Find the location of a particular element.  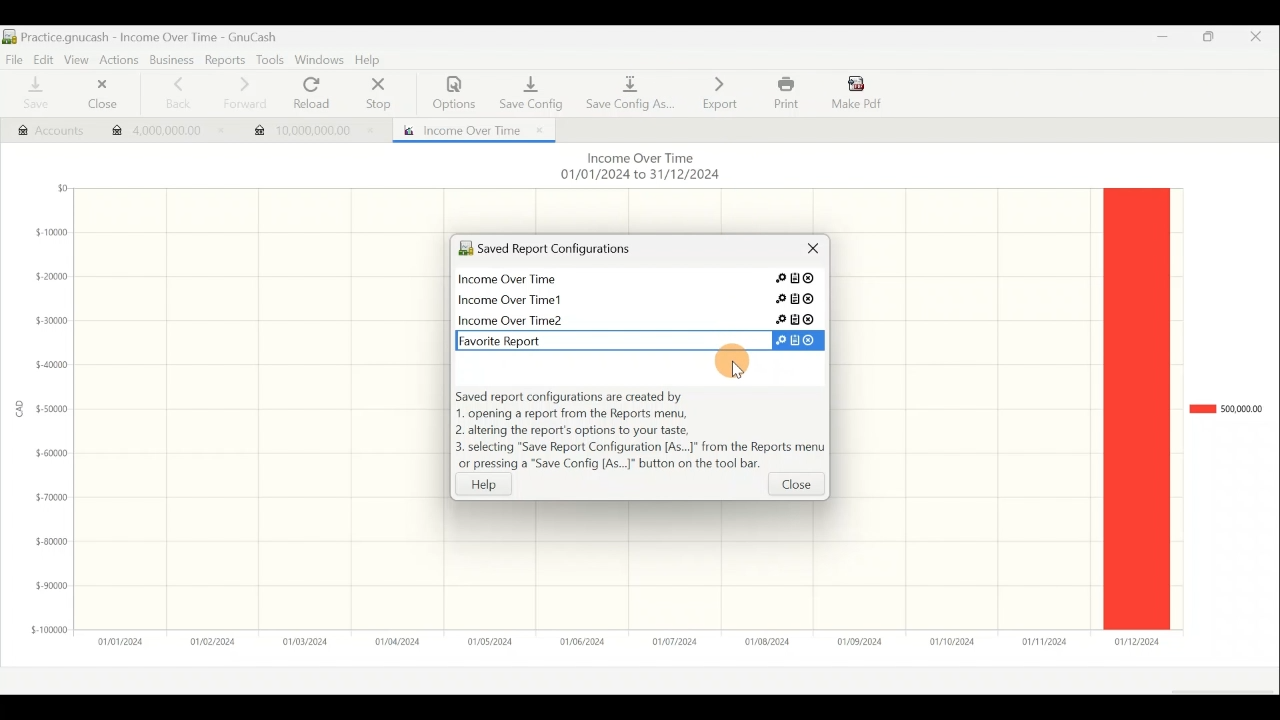

Cursor is located at coordinates (731, 361).